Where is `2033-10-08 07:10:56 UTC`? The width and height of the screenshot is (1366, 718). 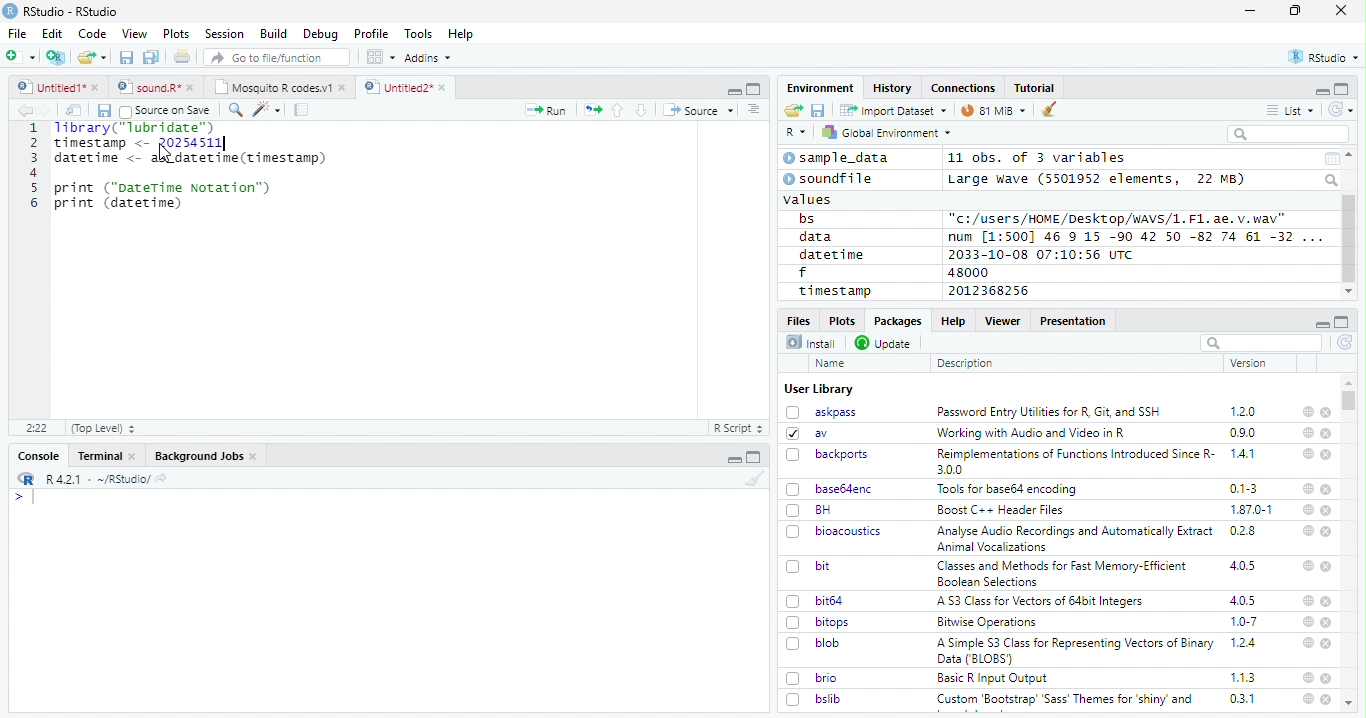
2033-10-08 07:10:56 UTC is located at coordinates (1042, 254).